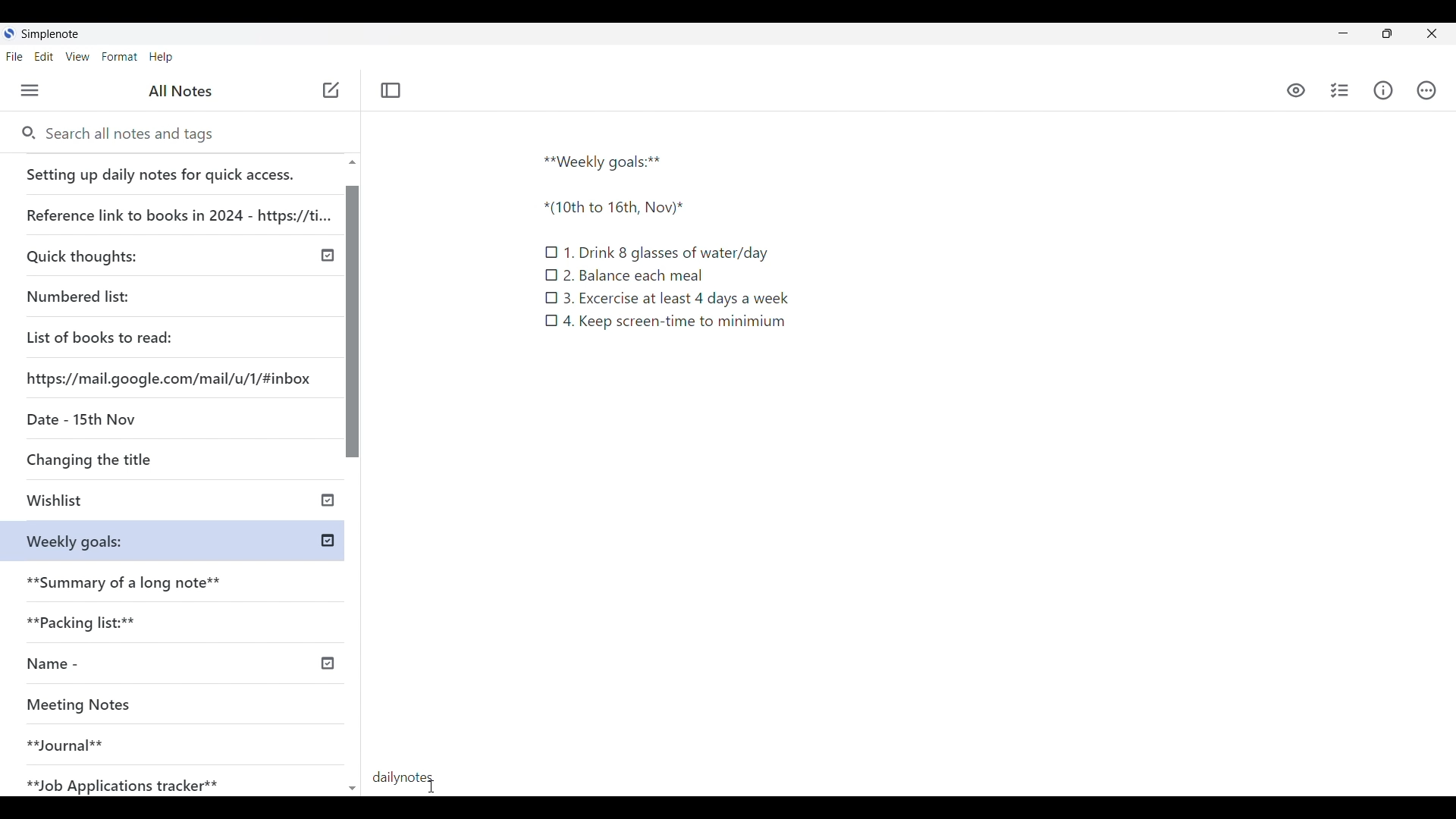 The height and width of the screenshot is (819, 1456). I want to click on Software note, so click(52, 34).